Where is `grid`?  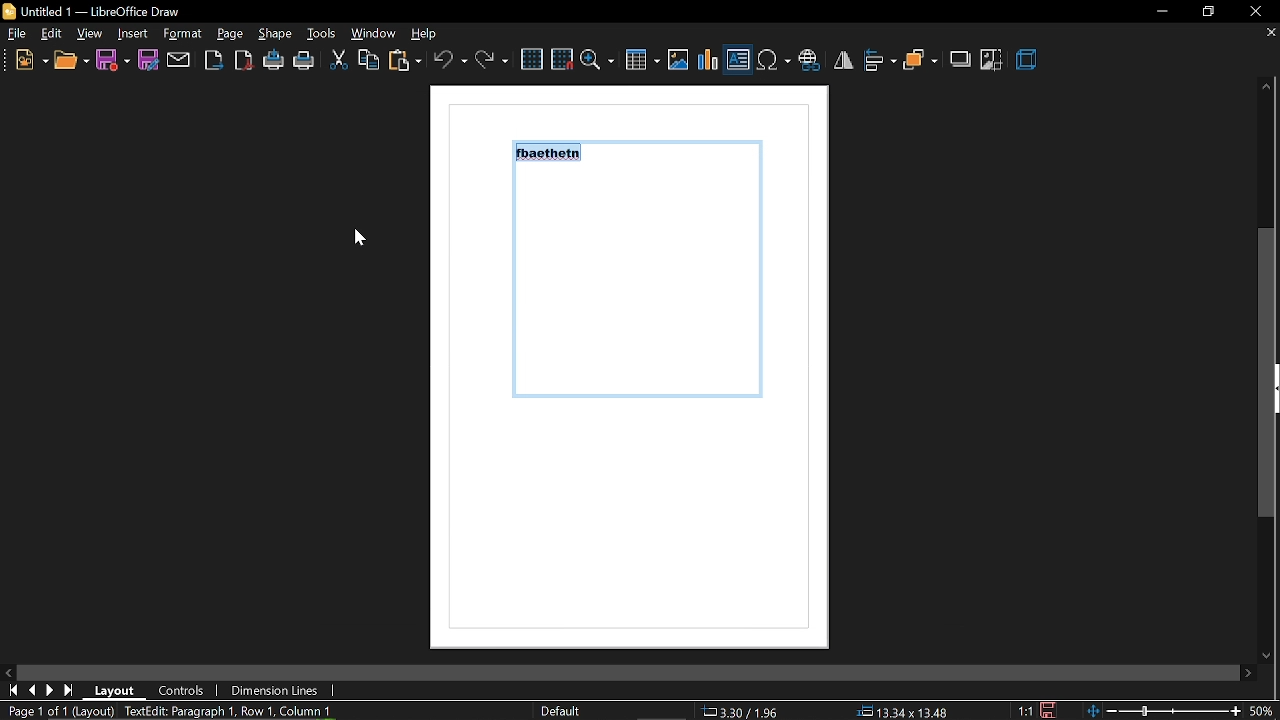 grid is located at coordinates (531, 60).